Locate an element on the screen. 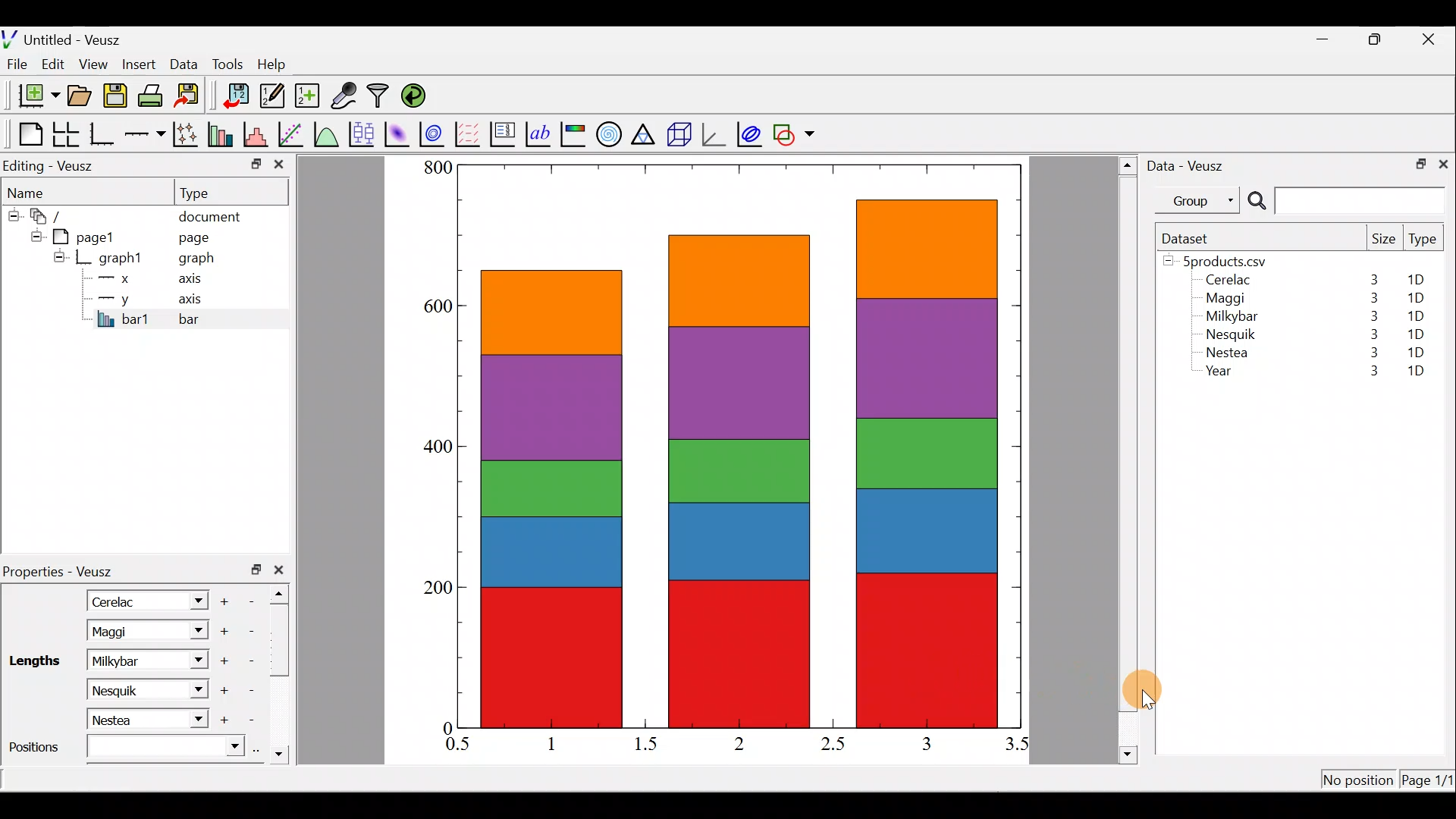 The image size is (1456, 819). 2 is located at coordinates (736, 742).